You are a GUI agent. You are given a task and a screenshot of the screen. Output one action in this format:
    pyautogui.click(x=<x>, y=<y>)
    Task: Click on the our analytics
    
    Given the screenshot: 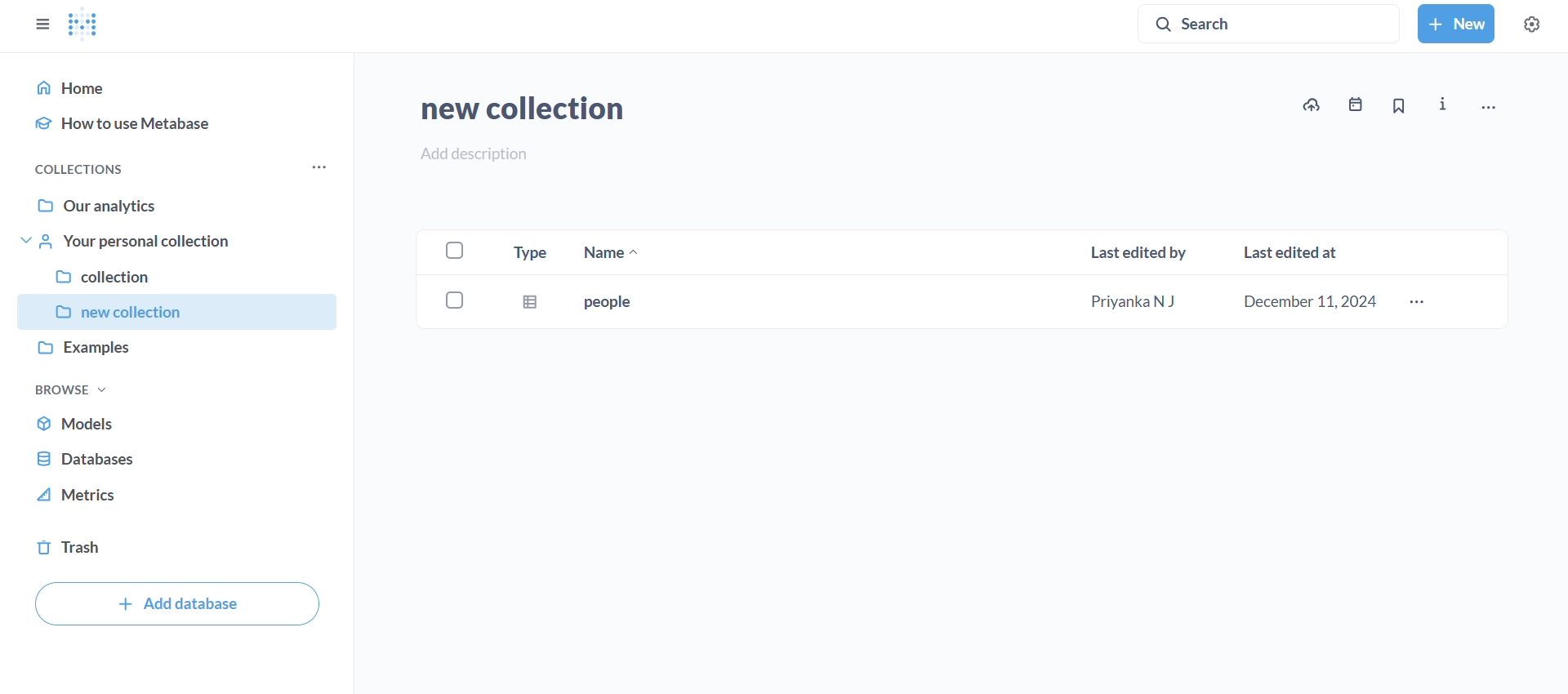 What is the action you would take?
    pyautogui.click(x=181, y=202)
    